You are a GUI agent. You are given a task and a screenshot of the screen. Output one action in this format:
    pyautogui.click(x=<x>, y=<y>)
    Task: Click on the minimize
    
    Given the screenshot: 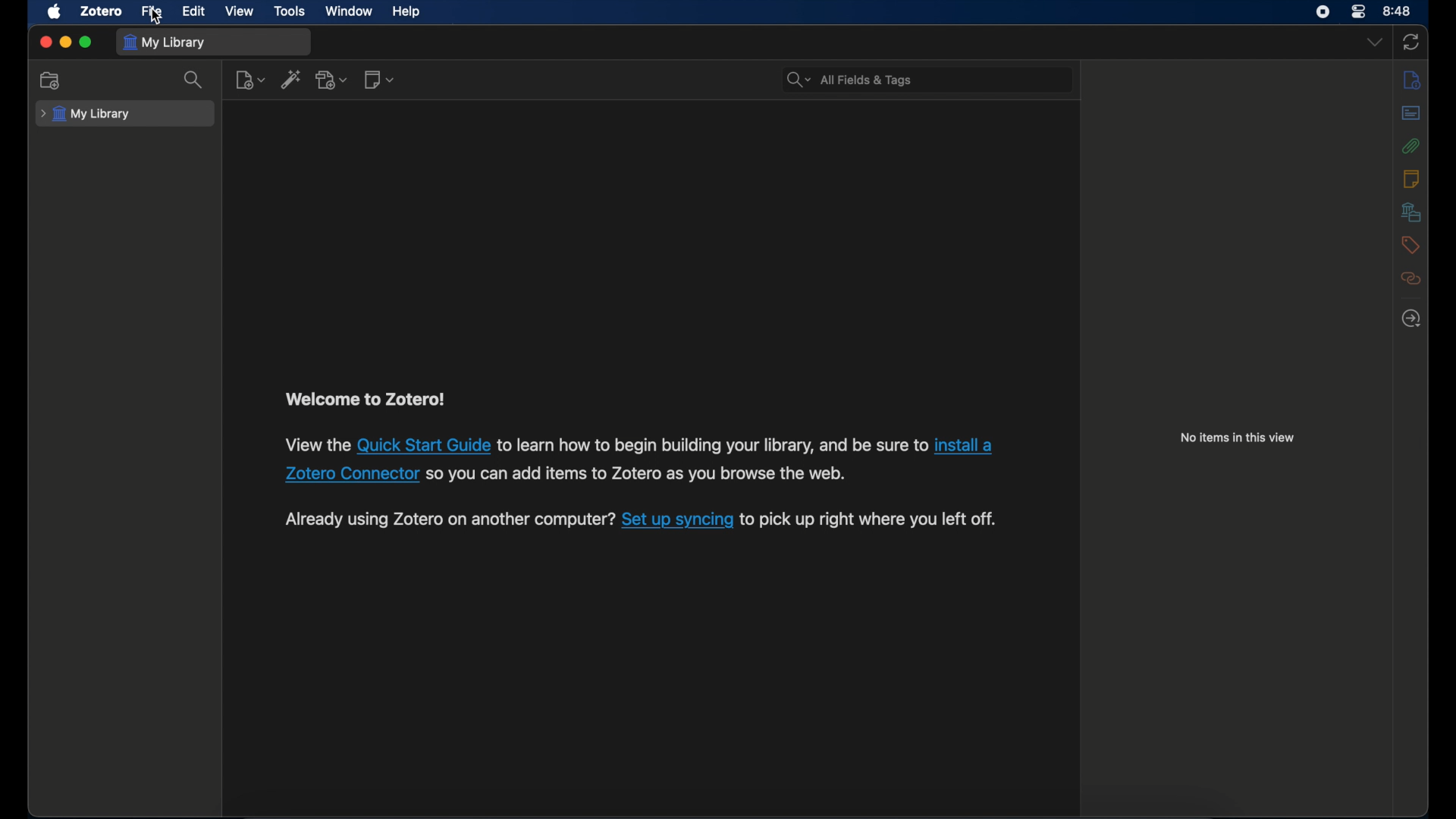 What is the action you would take?
    pyautogui.click(x=65, y=42)
    